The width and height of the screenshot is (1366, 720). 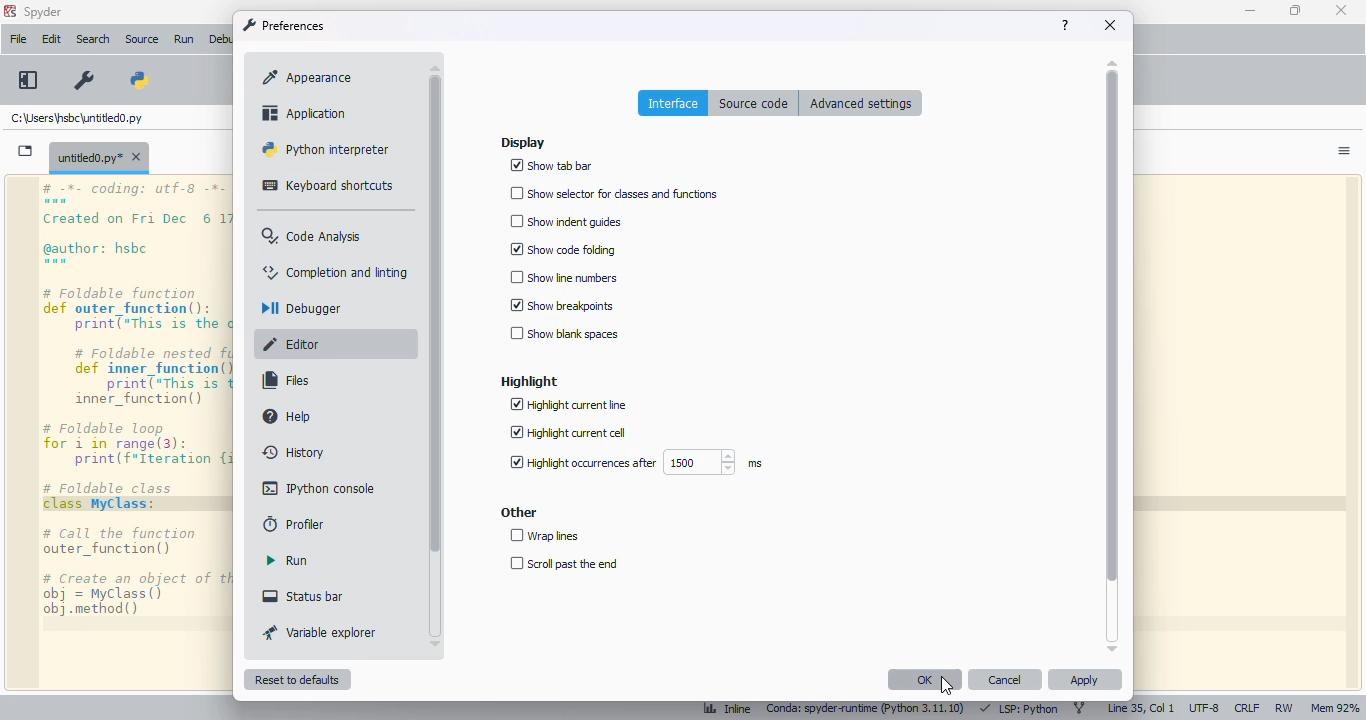 What do you see at coordinates (301, 308) in the screenshot?
I see `debugger` at bounding box center [301, 308].